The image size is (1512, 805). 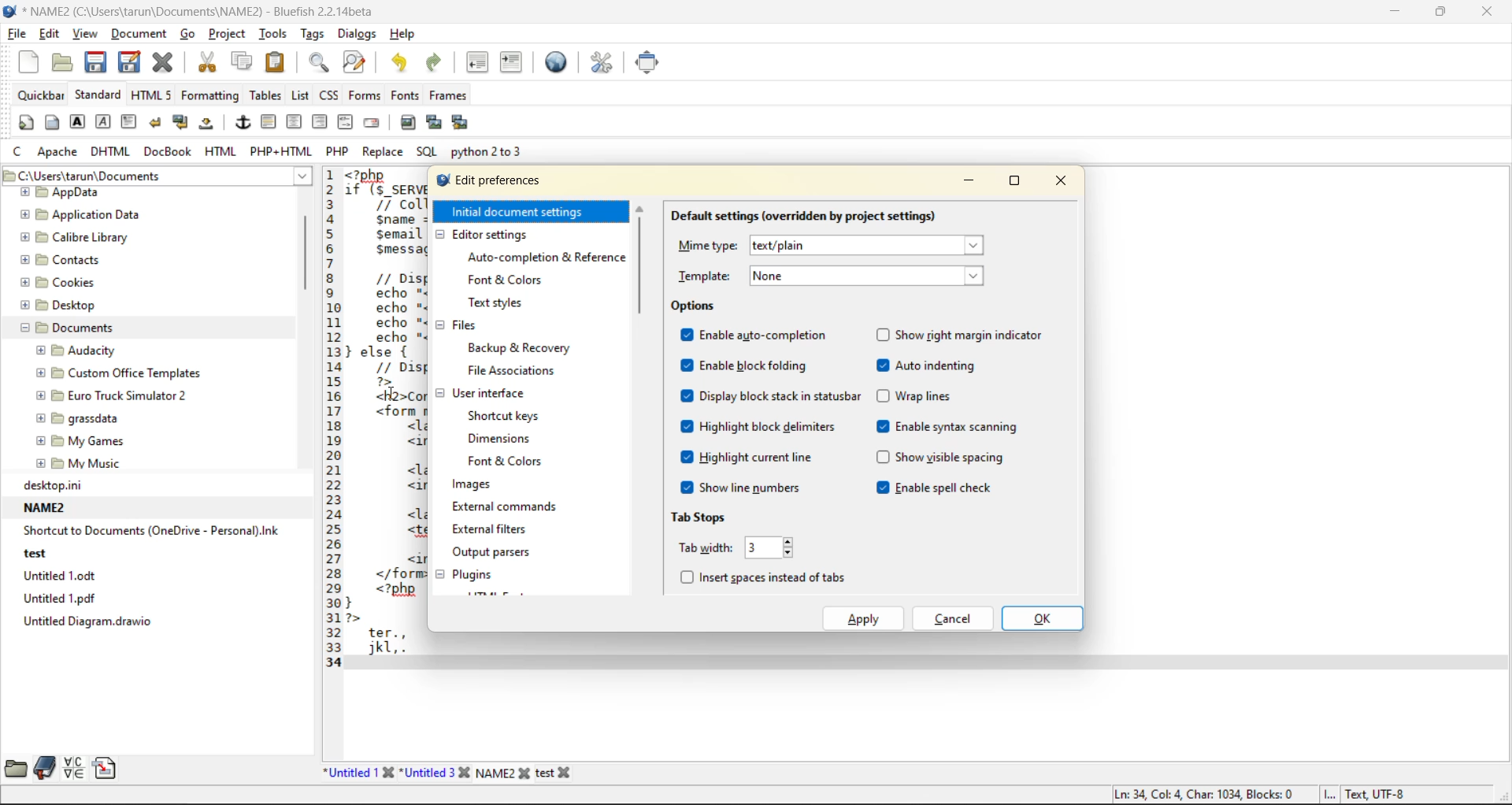 I want to click on display block stack in status bar, so click(x=769, y=395).